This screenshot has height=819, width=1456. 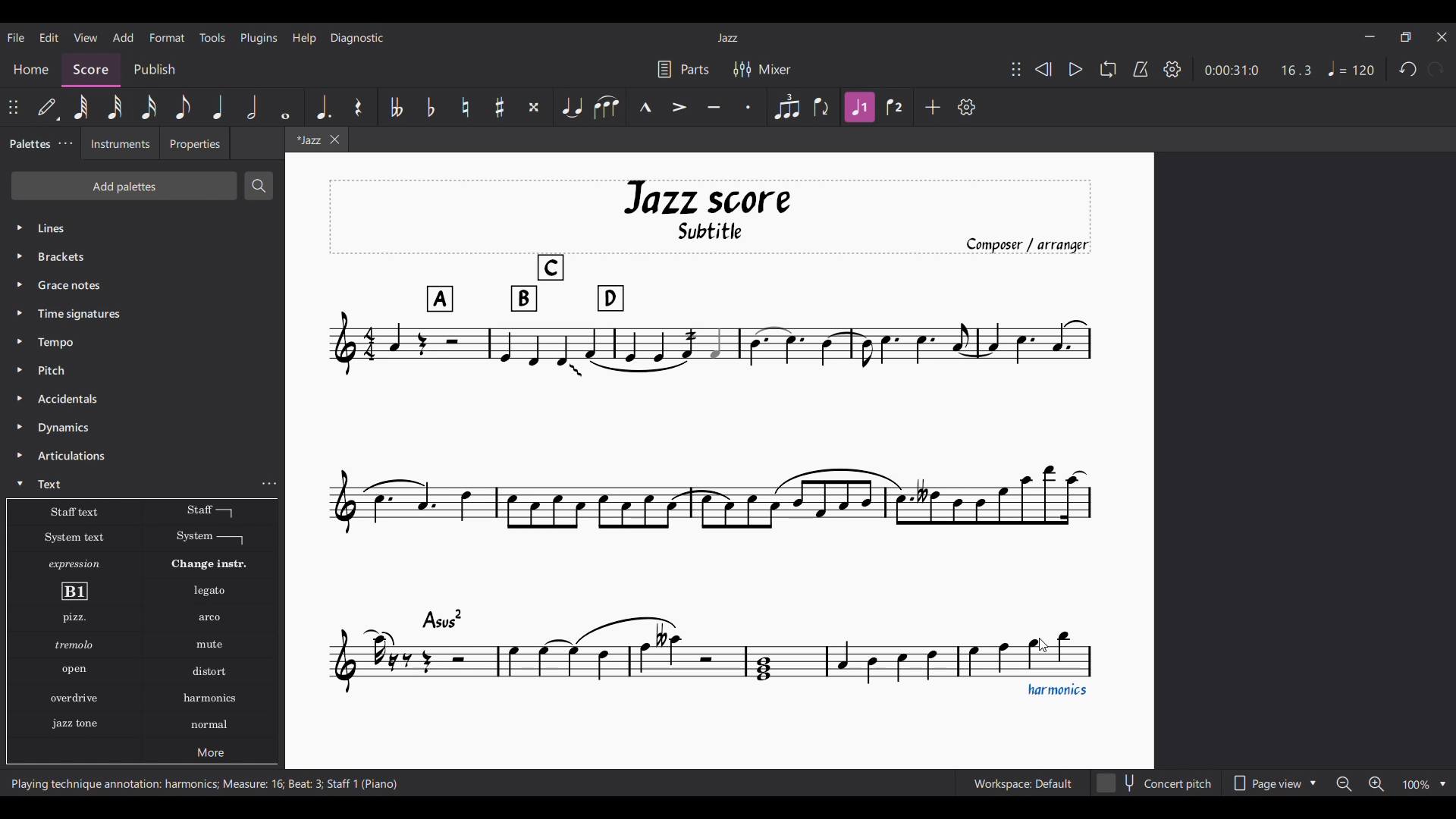 I want to click on Show in smaller tab, so click(x=1405, y=37).